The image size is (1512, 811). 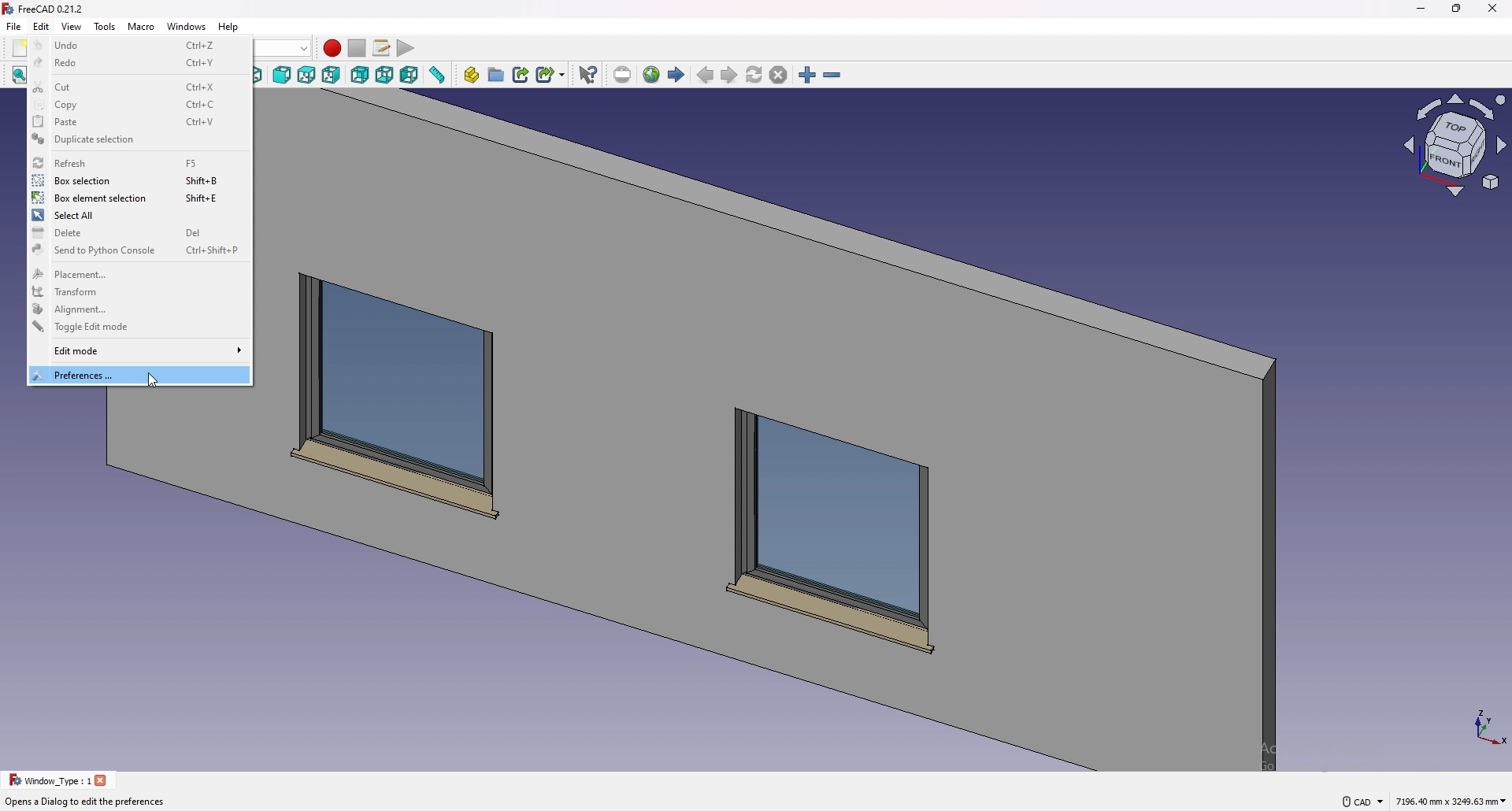 I want to click on redo  Ctrl+Y, so click(x=142, y=65).